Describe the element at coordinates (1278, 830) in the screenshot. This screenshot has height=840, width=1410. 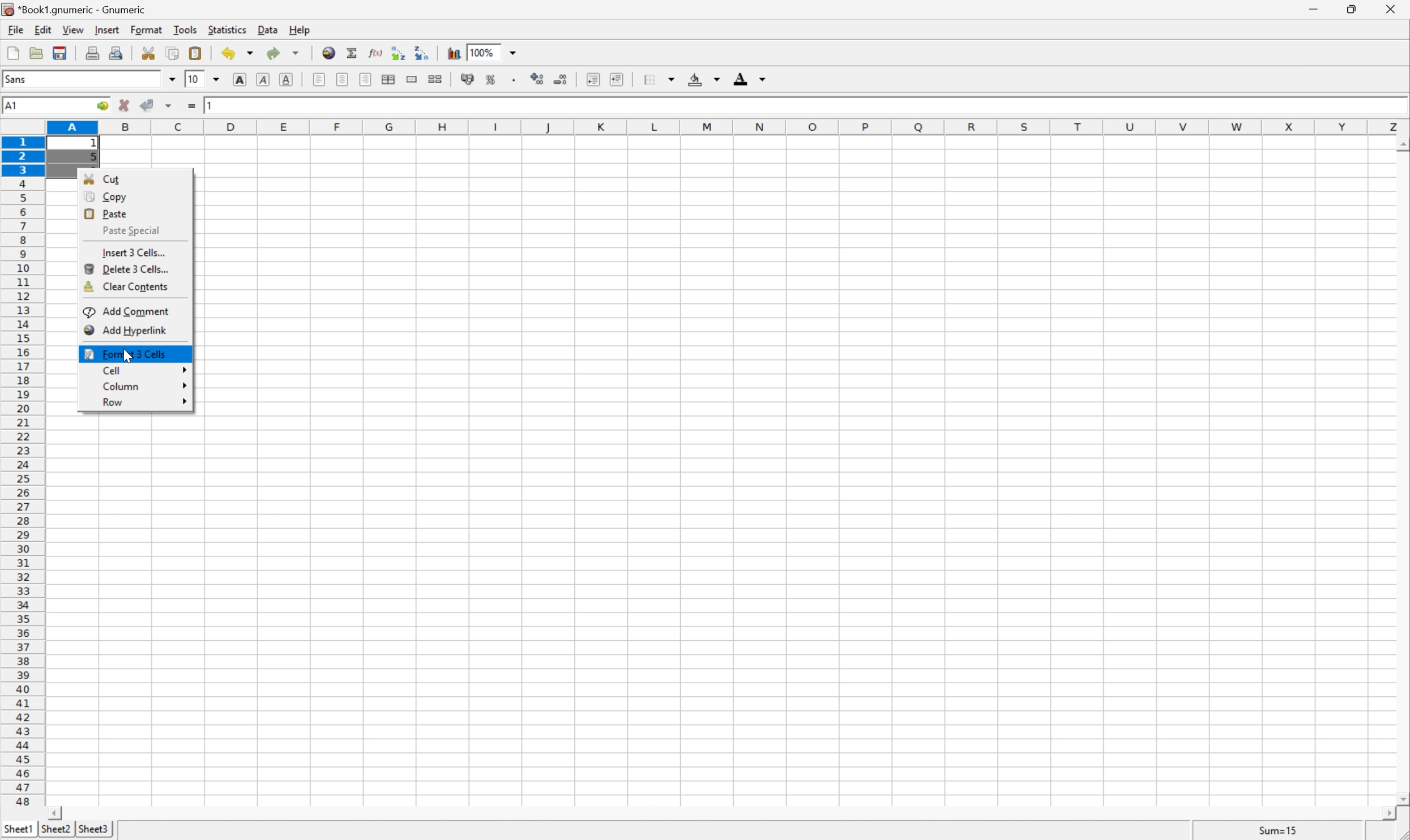
I see `sum=15` at that location.